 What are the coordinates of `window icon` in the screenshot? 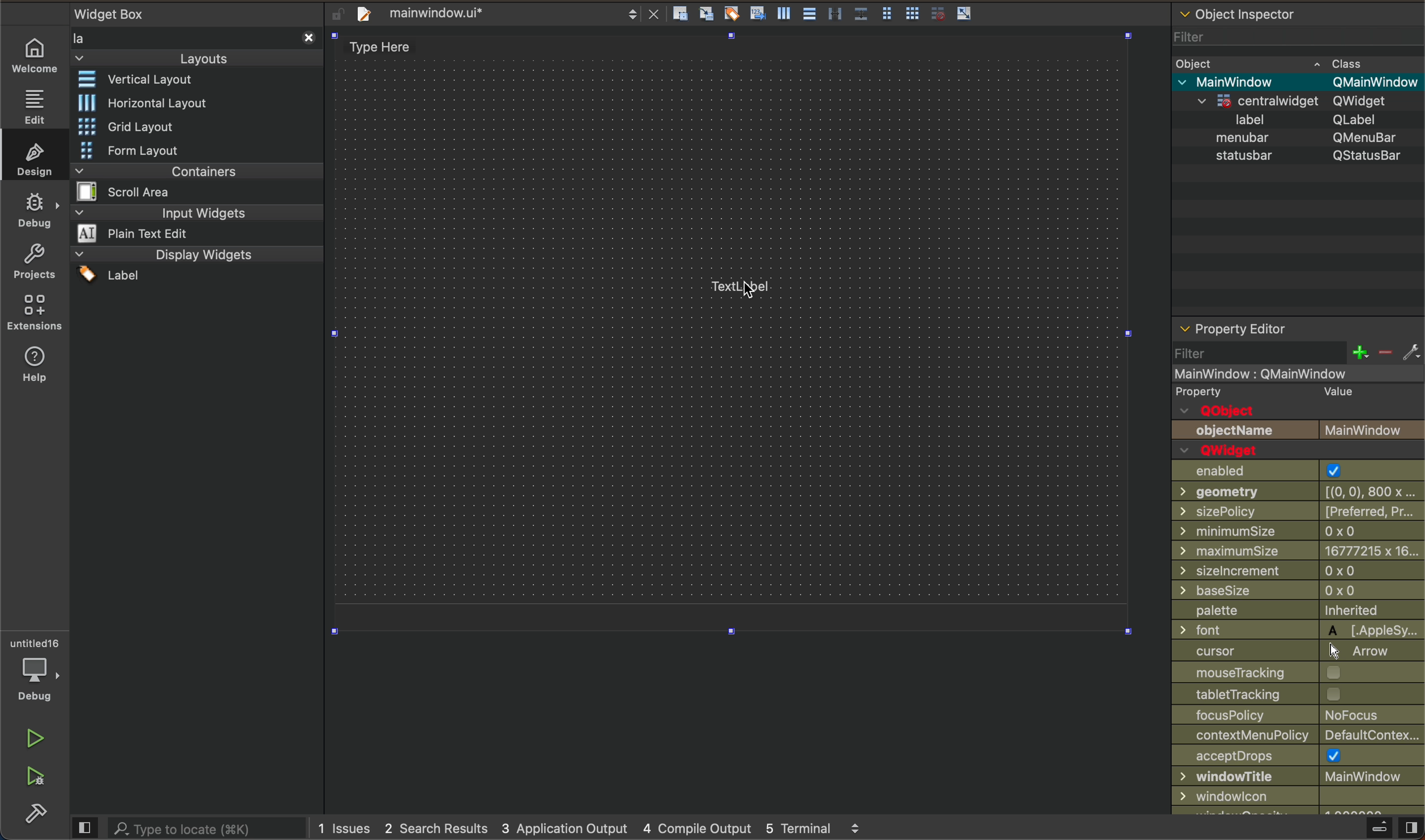 It's located at (1297, 796).